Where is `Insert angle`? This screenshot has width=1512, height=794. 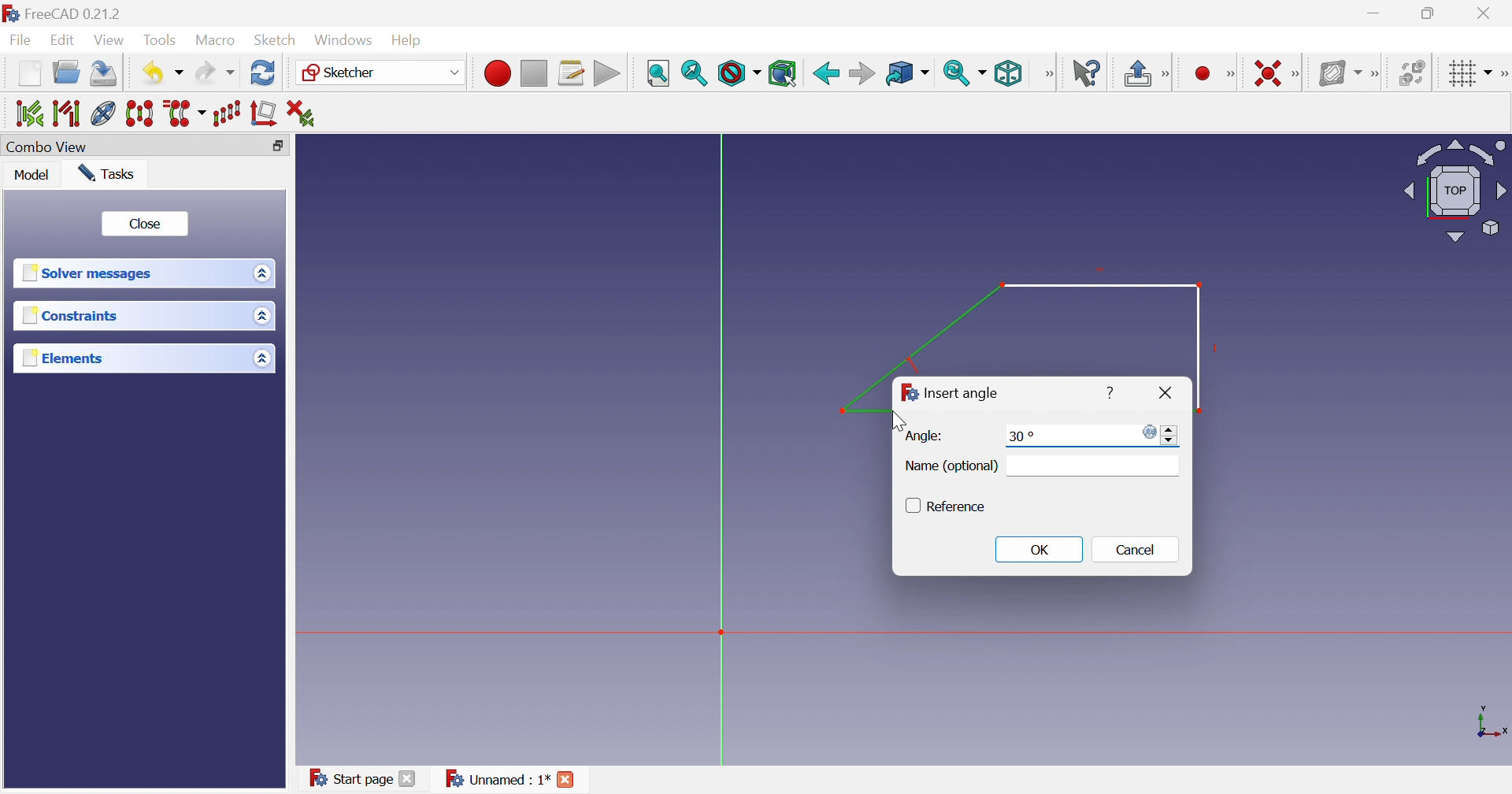 Insert angle is located at coordinates (962, 394).